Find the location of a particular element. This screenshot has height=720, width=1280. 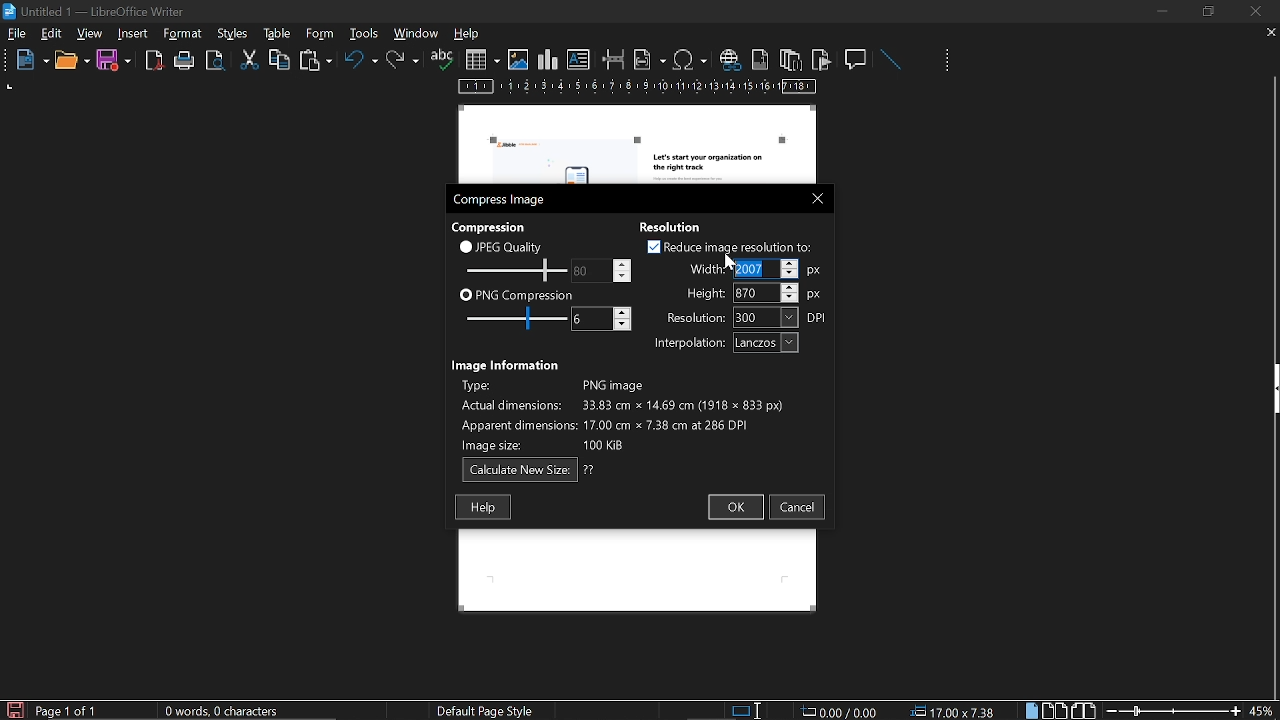

Compression is located at coordinates (491, 226).